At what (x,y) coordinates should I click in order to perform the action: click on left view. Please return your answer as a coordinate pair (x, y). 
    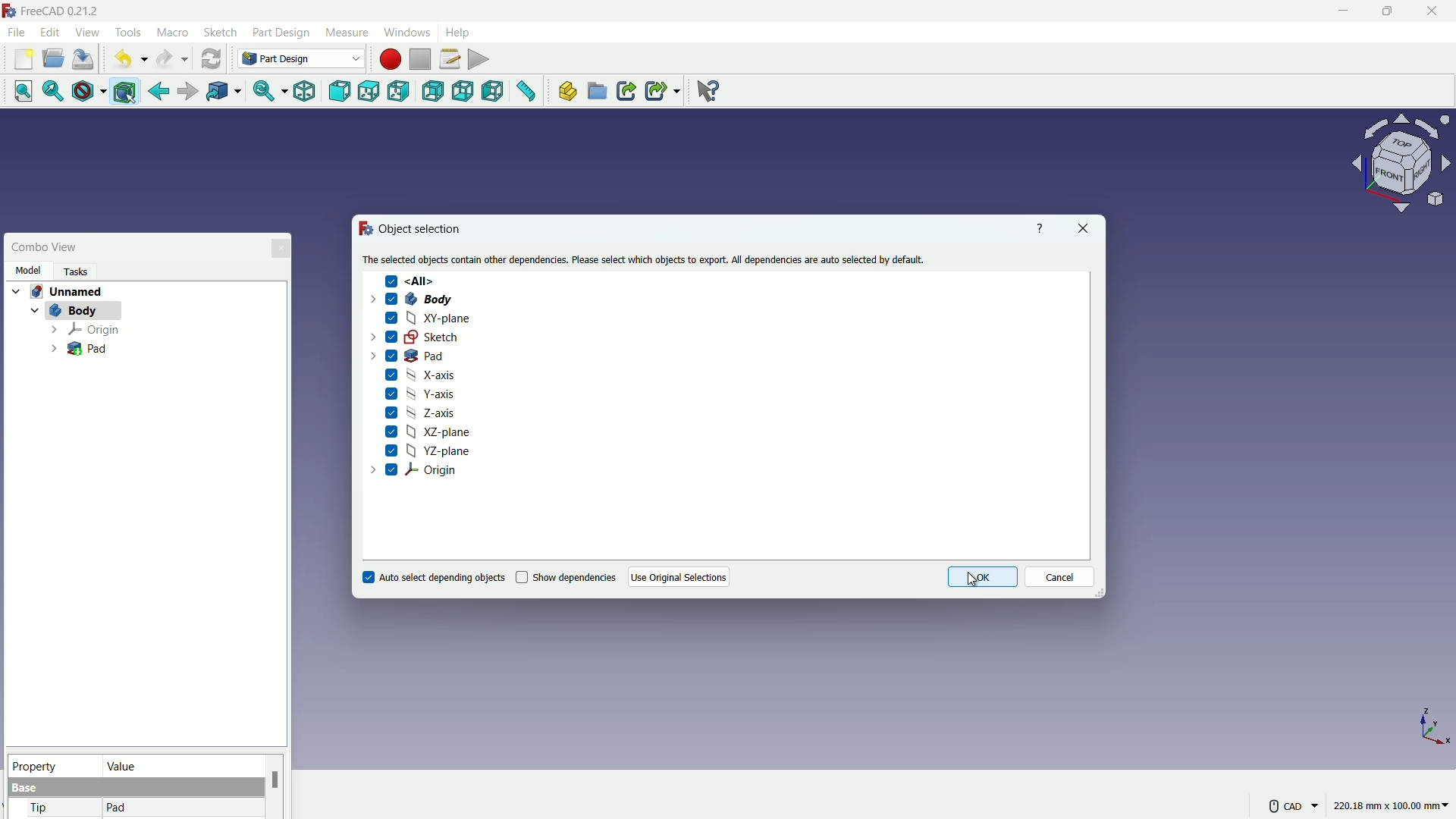
    Looking at the image, I should click on (494, 93).